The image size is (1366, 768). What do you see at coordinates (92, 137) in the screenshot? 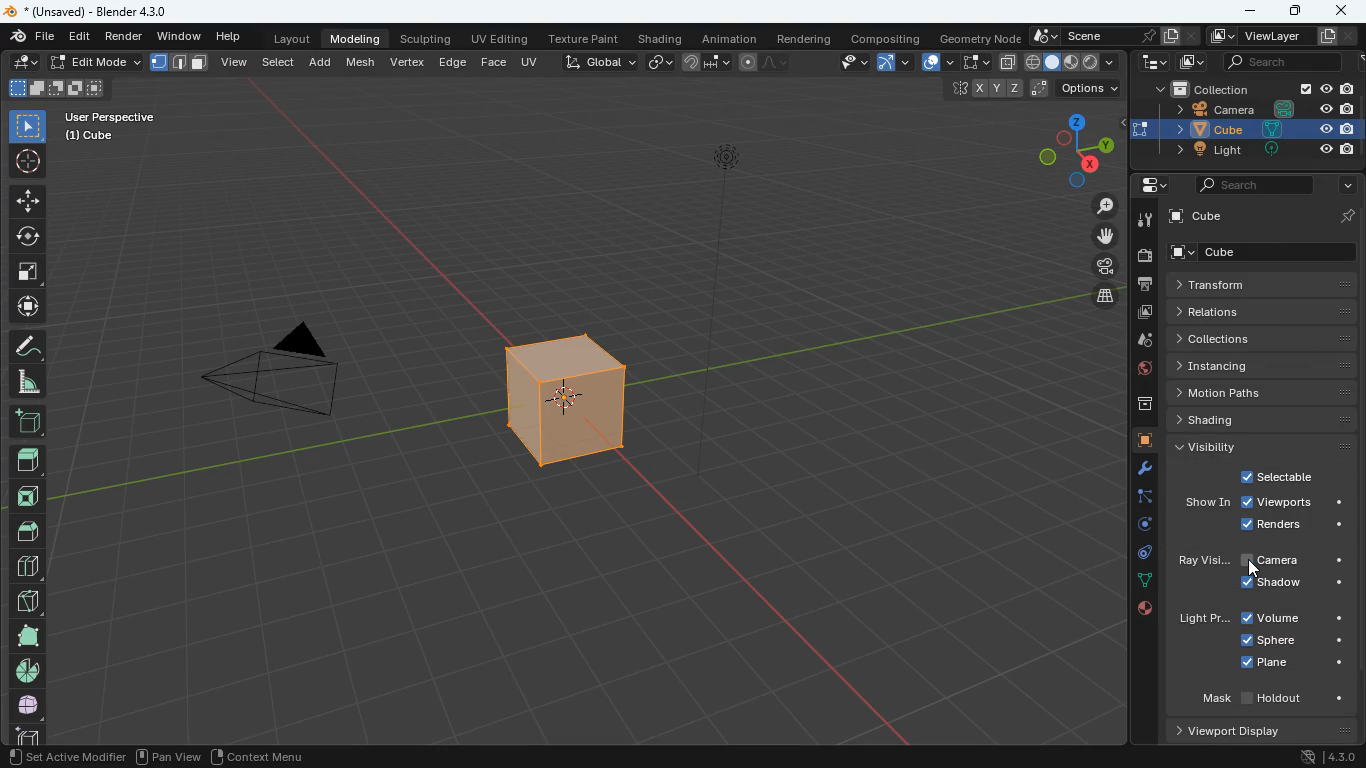
I see `cube` at bounding box center [92, 137].